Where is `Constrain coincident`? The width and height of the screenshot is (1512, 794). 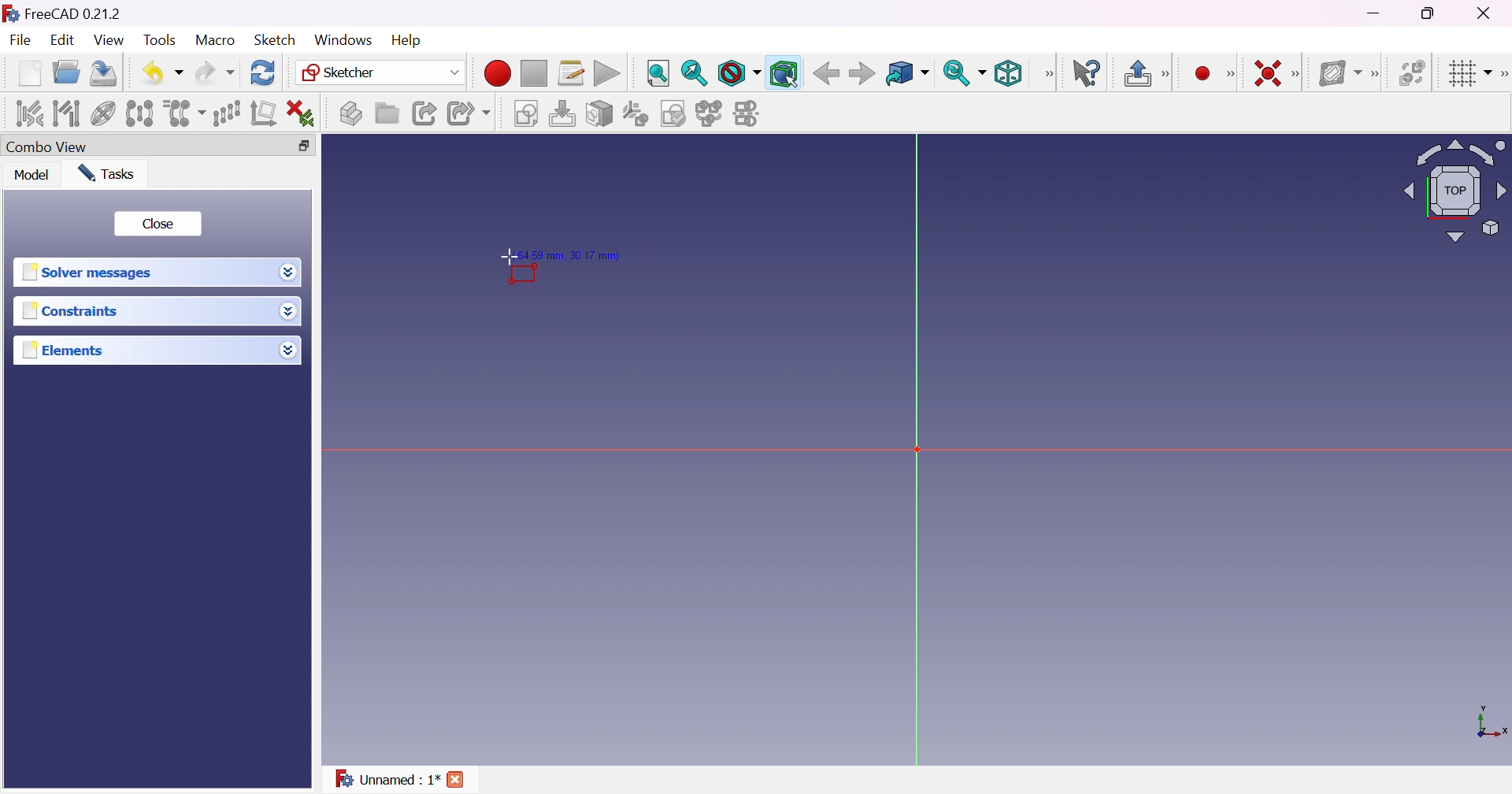 Constrain coincident is located at coordinates (1270, 73).